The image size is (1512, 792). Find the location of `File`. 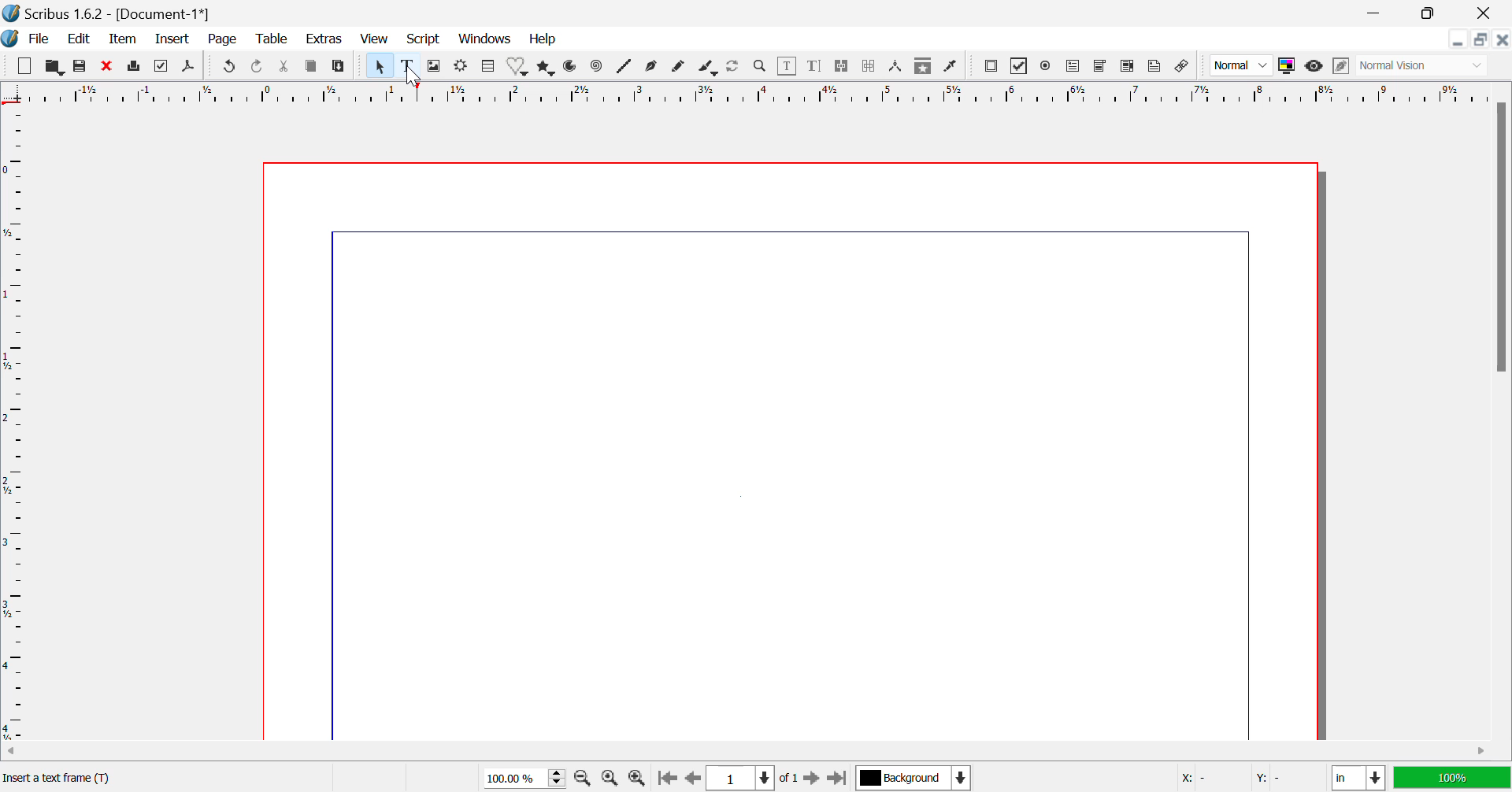

File is located at coordinates (39, 39).